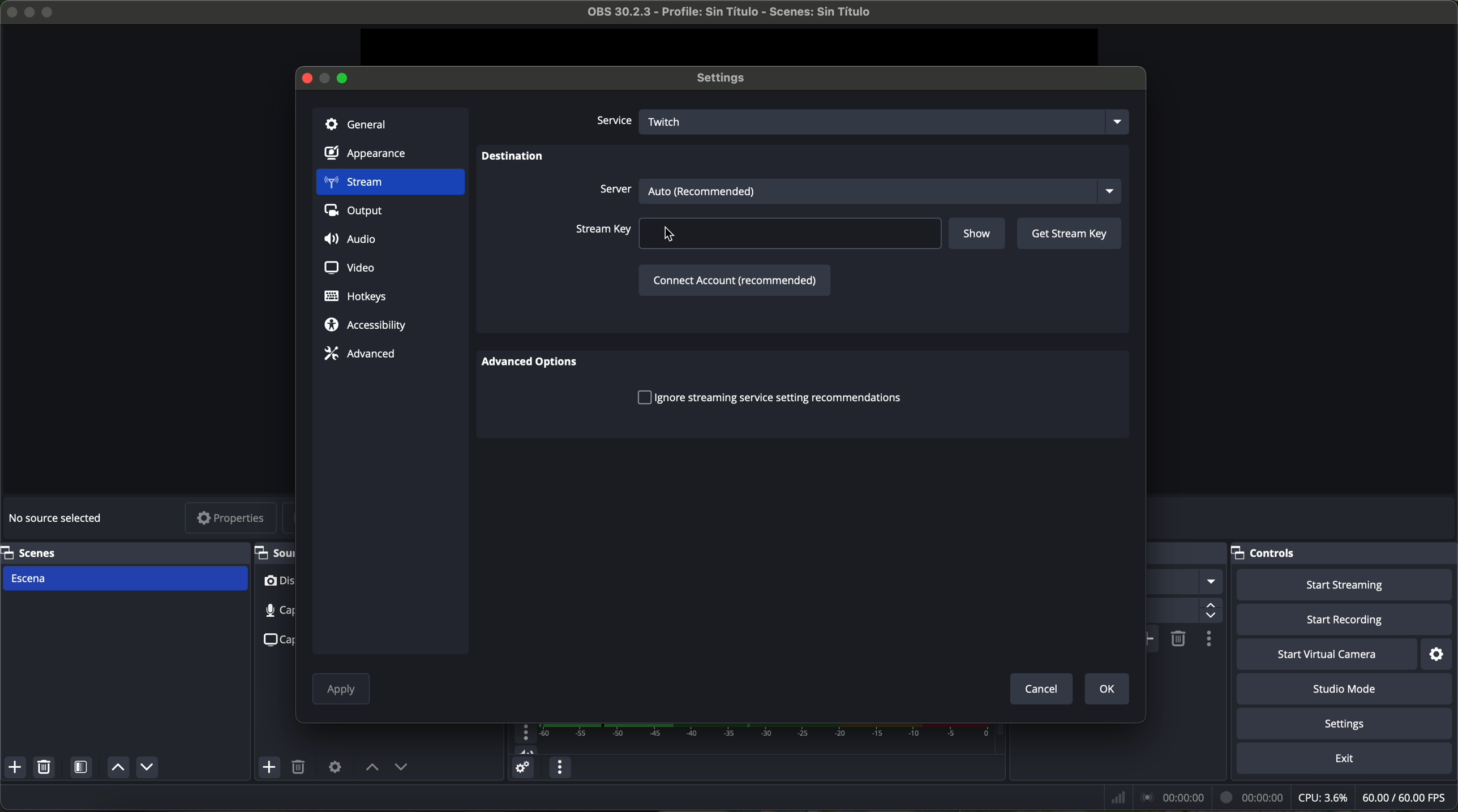  I want to click on connect account, so click(732, 279).